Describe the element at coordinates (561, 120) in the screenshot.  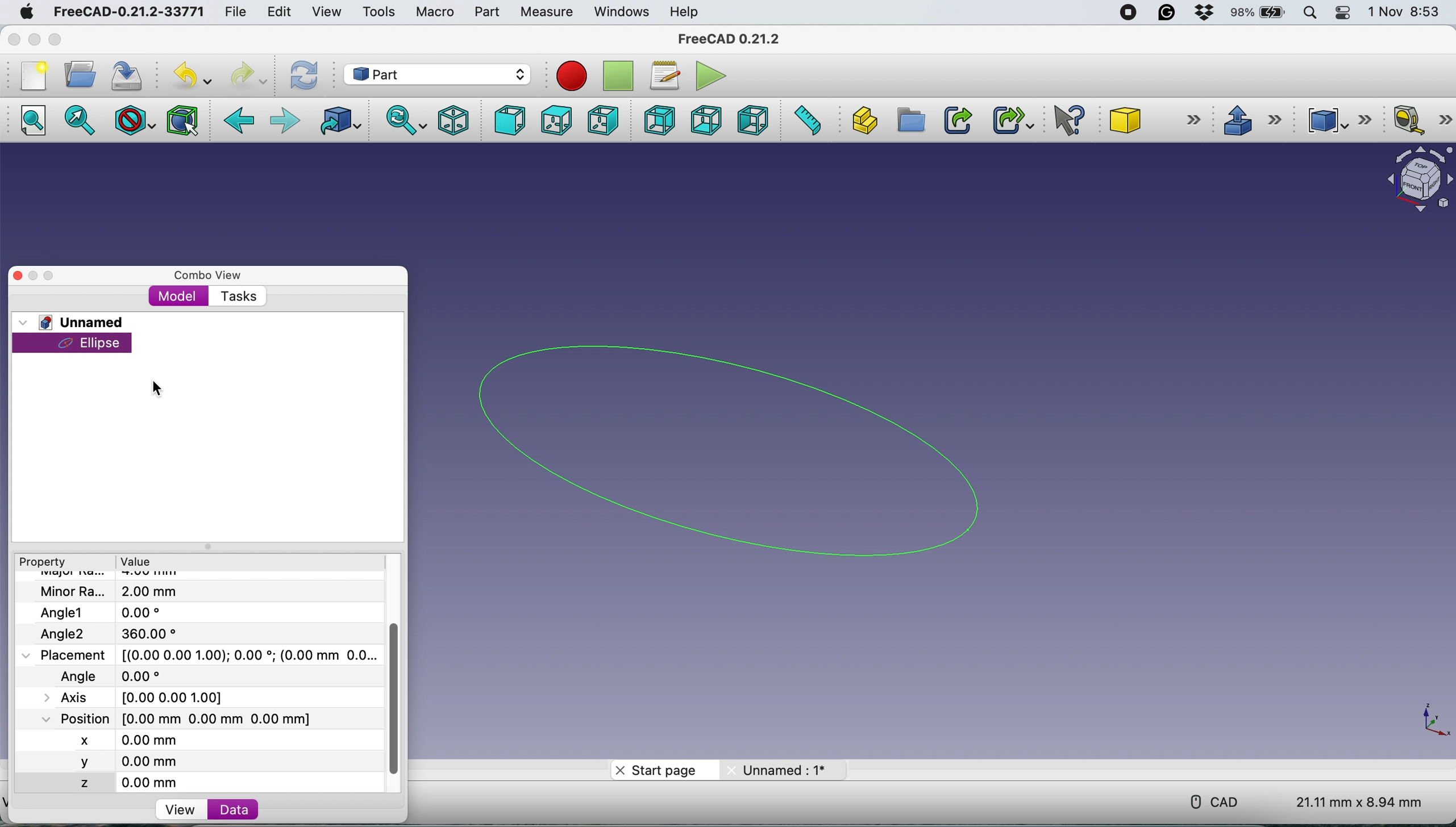
I see `top` at that location.